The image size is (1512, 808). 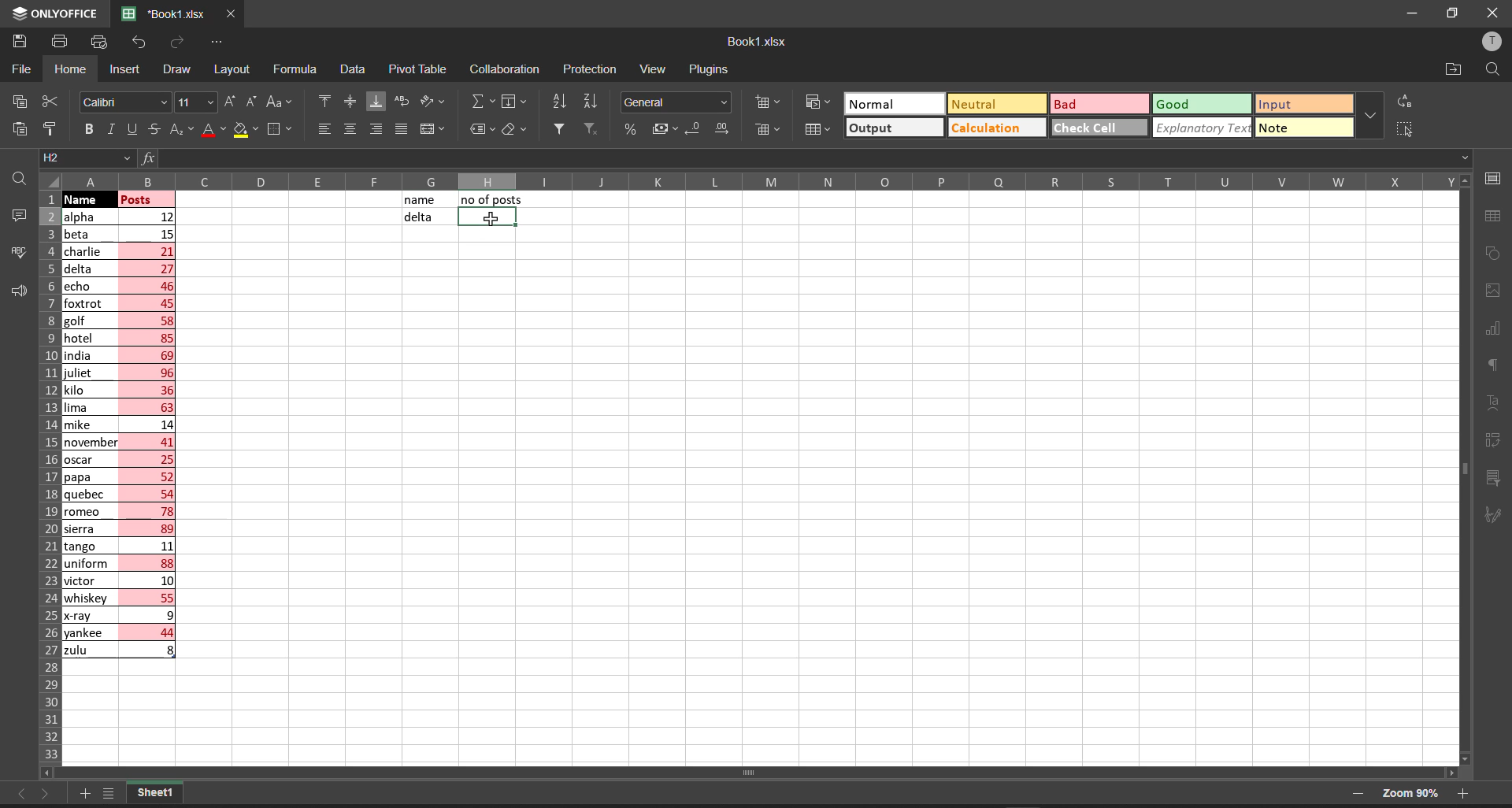 What do you see at coordinates (87, 791) in the screenshot?
I see `add new tab` at bounding box center [87, 791].